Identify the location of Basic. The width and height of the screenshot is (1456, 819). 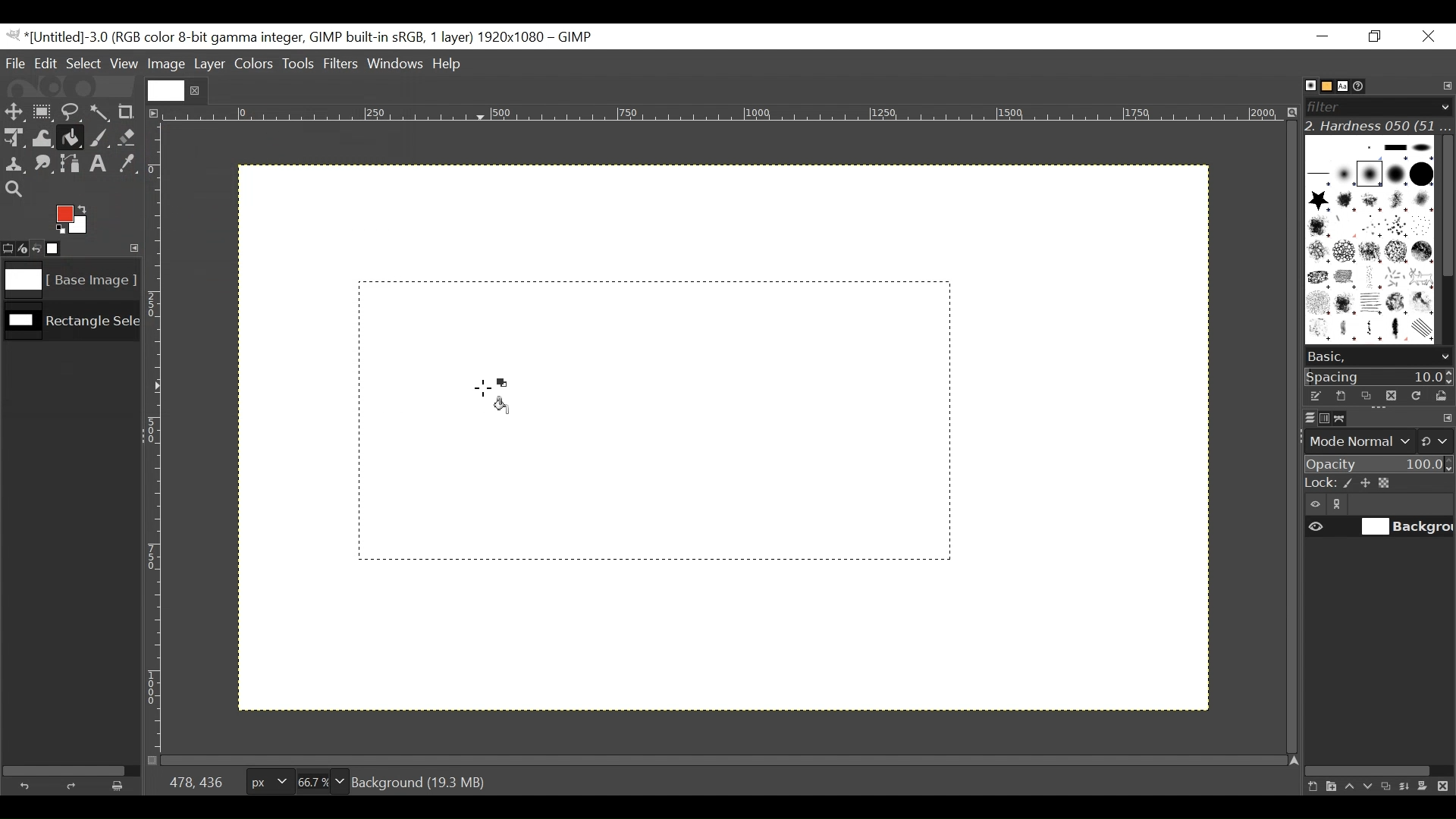
(1323, 86).